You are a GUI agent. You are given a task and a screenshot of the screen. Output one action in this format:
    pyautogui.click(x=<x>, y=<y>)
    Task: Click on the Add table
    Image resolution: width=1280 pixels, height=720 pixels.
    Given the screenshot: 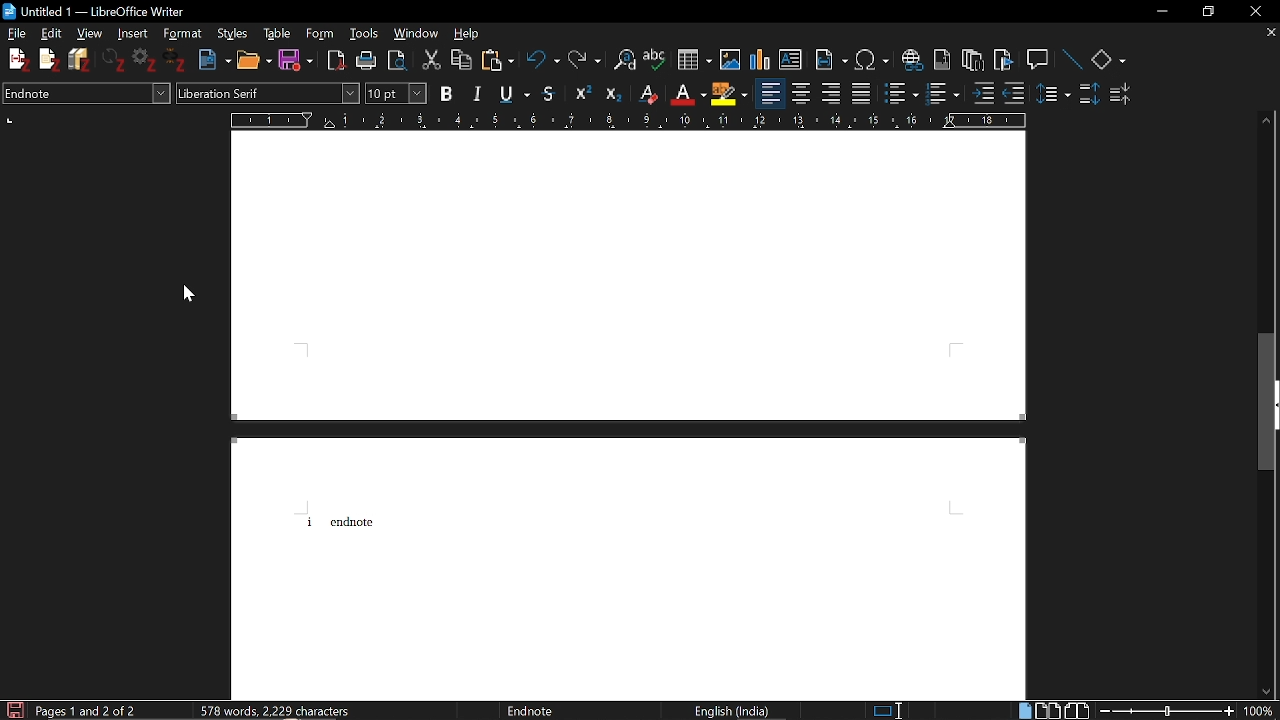 What is the action you would take?
    pyautogui.click(x=694, y=63)
    